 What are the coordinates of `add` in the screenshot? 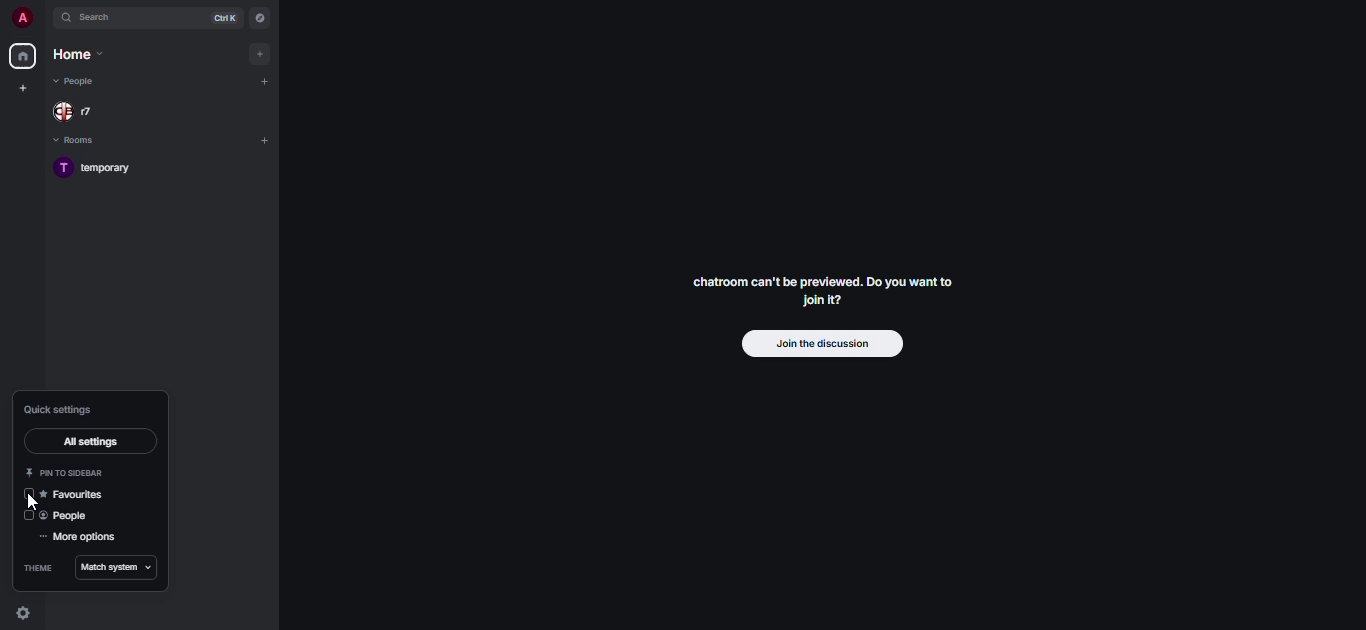 It's located at (259, 53).